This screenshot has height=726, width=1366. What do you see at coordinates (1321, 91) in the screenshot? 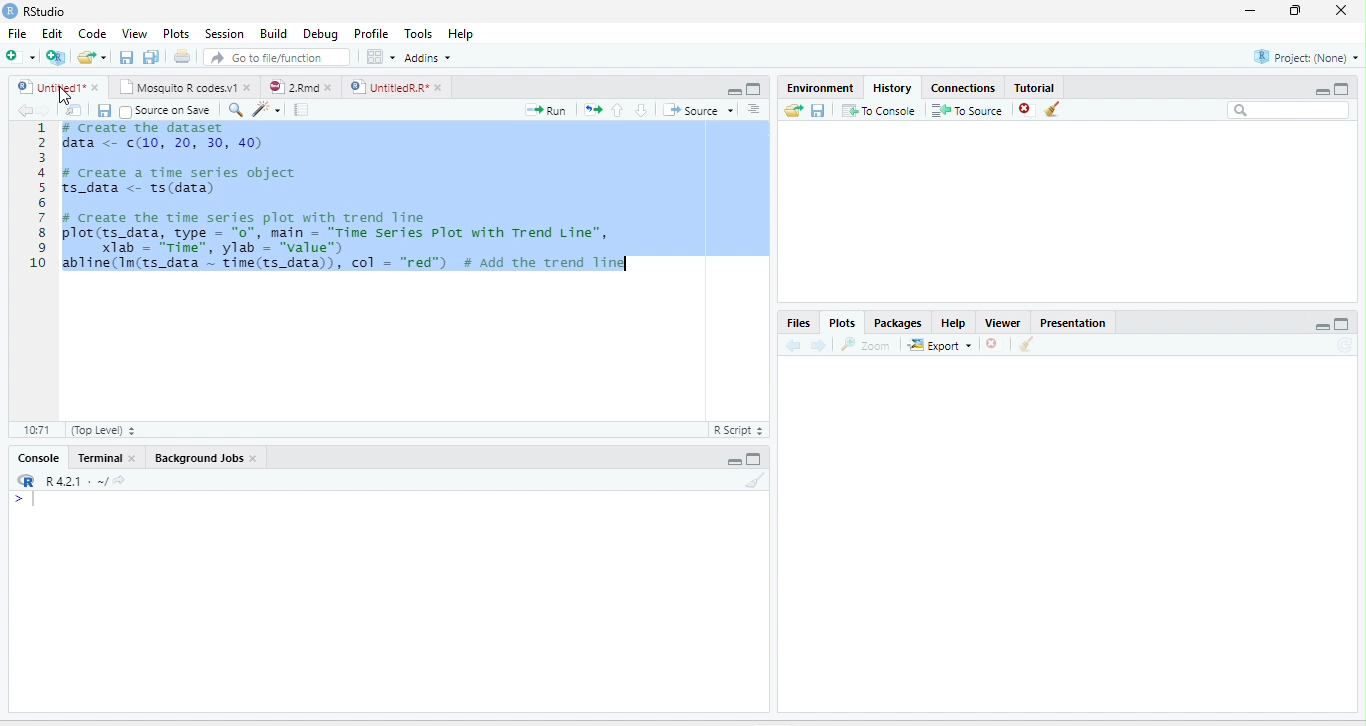
I see `Minimize` at bounding box center [1321, 91].